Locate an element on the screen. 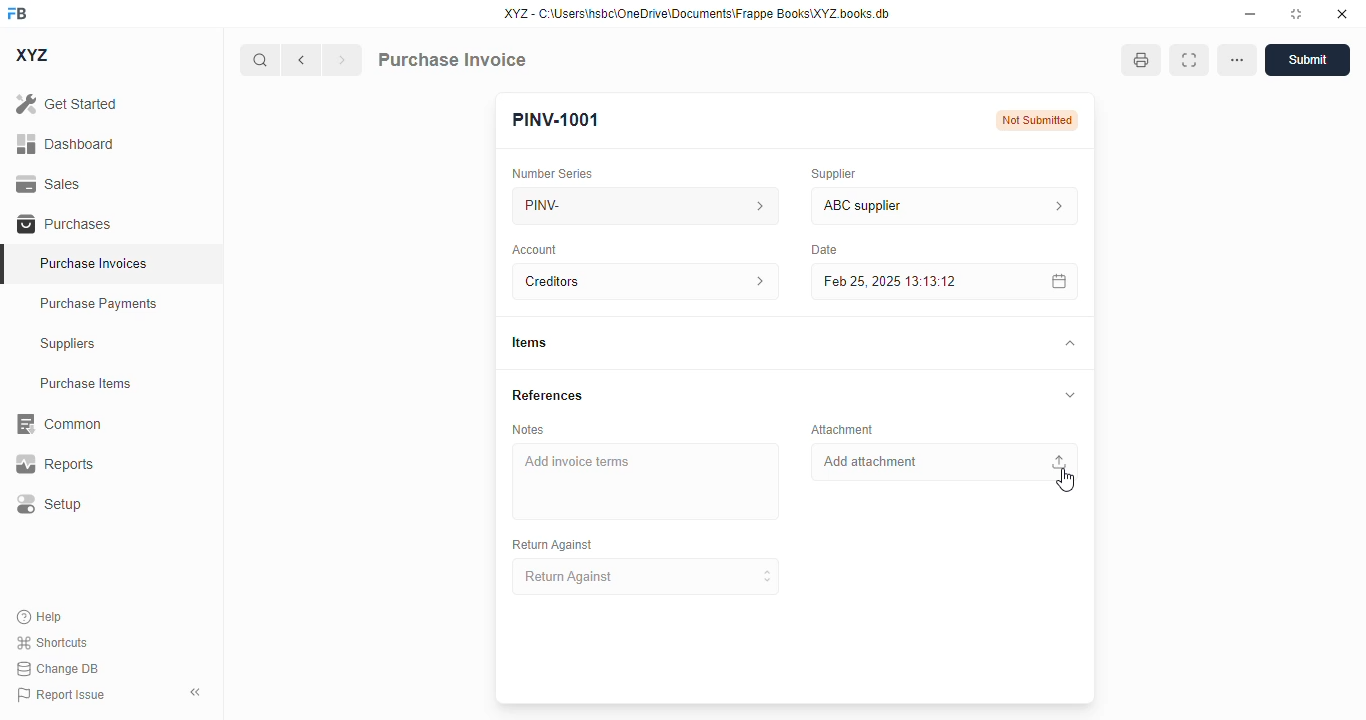 The image size is (1366, 720). items is located at coordinates (529, 343).